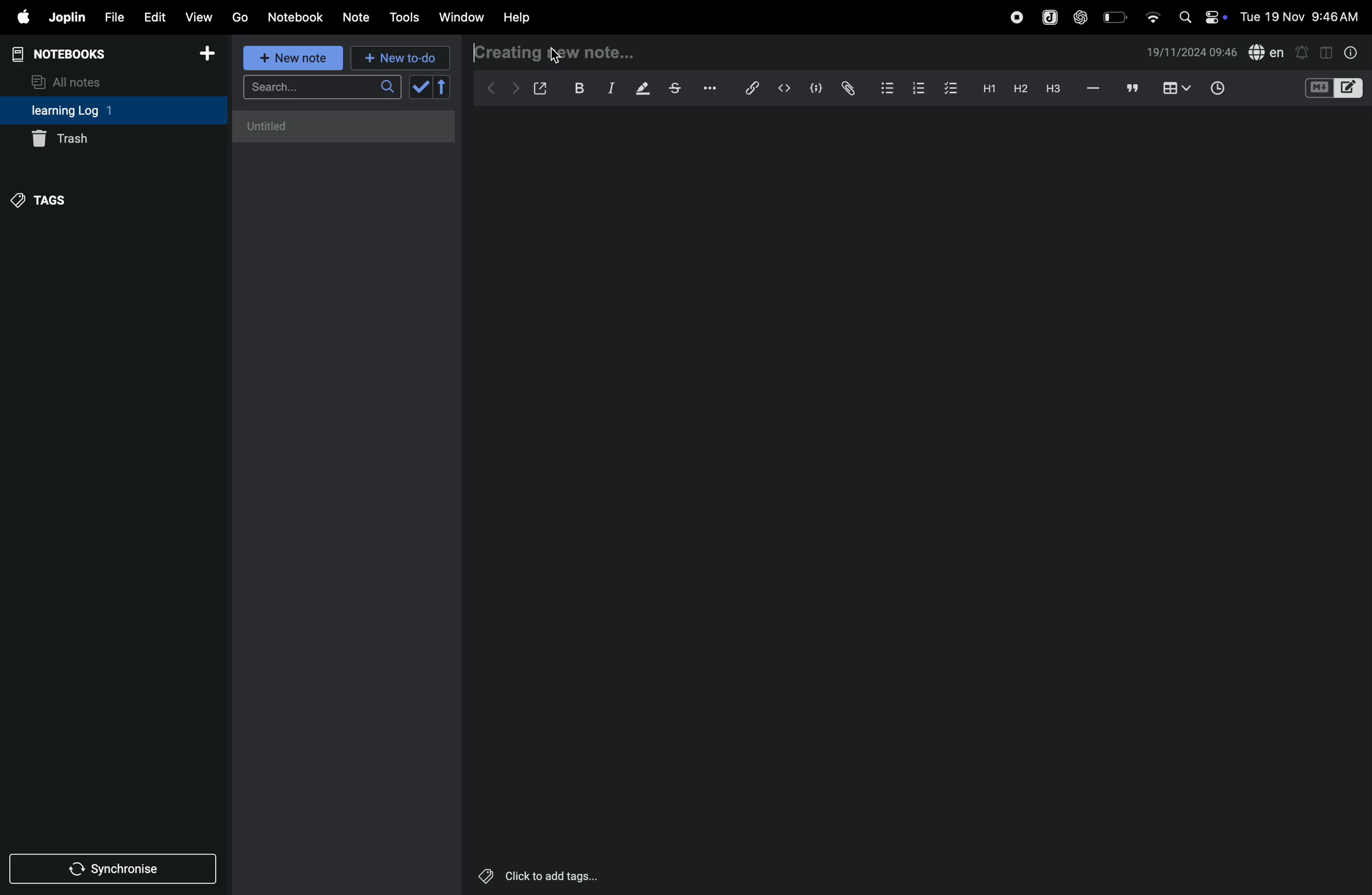 This screenshot has height=895, width=1372. I want to click on options, so click(707, 87).